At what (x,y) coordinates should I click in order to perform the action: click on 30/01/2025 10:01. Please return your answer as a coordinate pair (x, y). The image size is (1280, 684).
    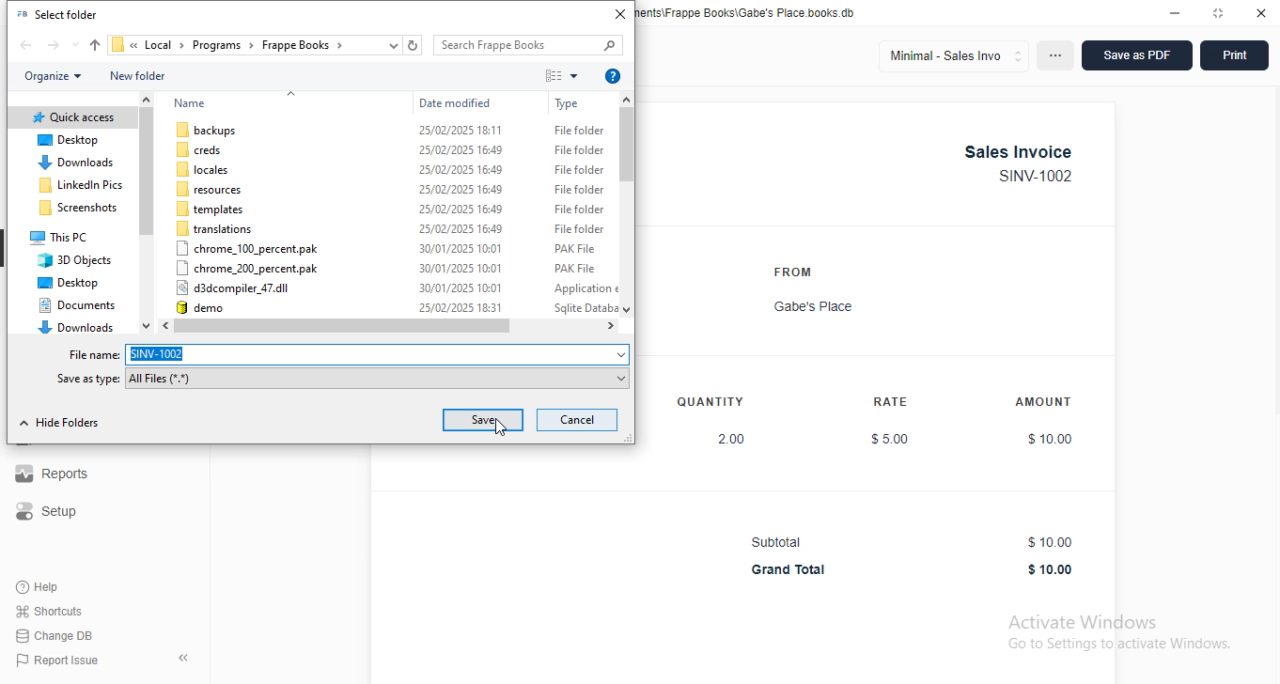
    Looking at the image, I should click on (459, 287).